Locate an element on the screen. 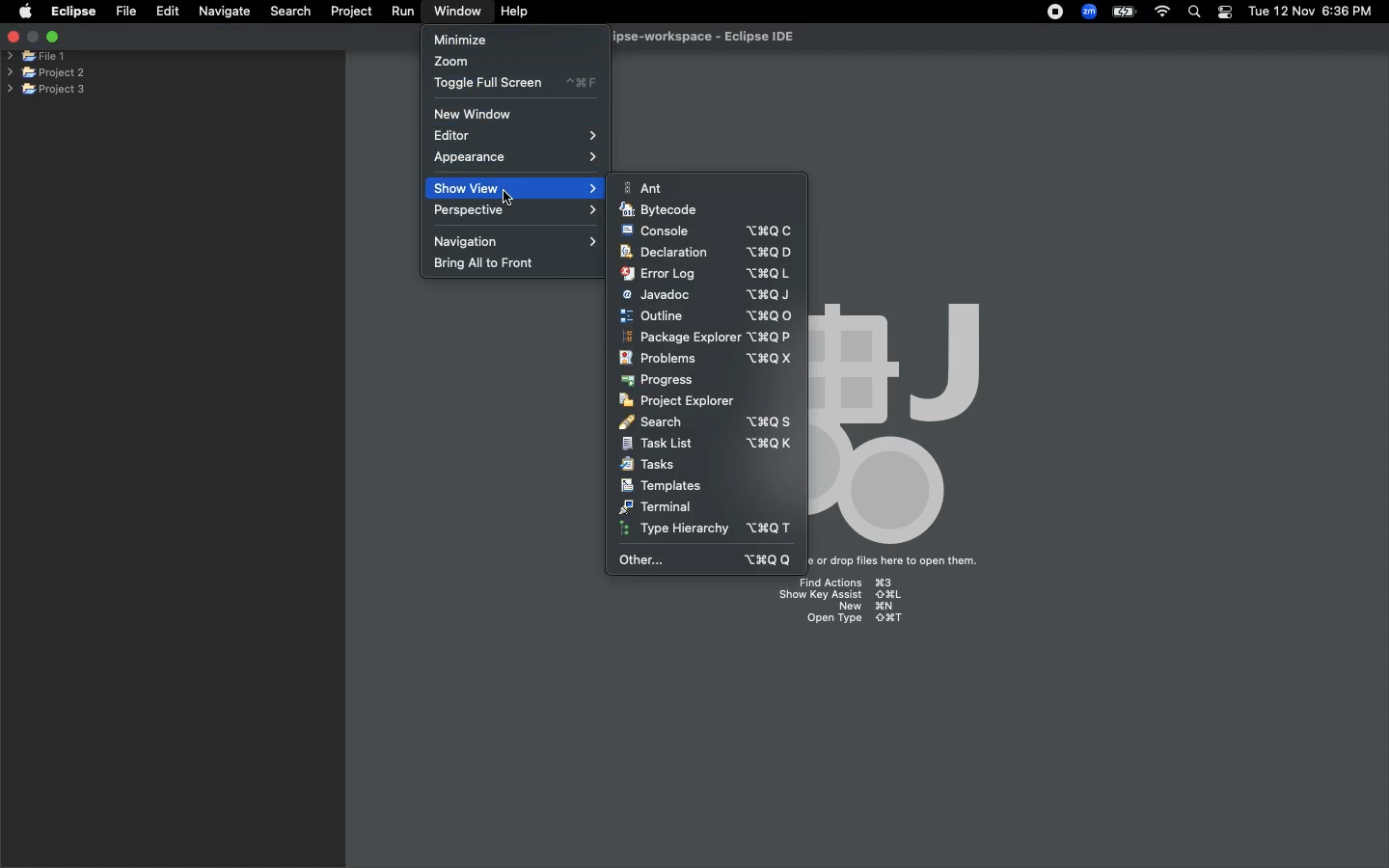 The image size is (1389, 868). New window is located at coordinates (479, 114).